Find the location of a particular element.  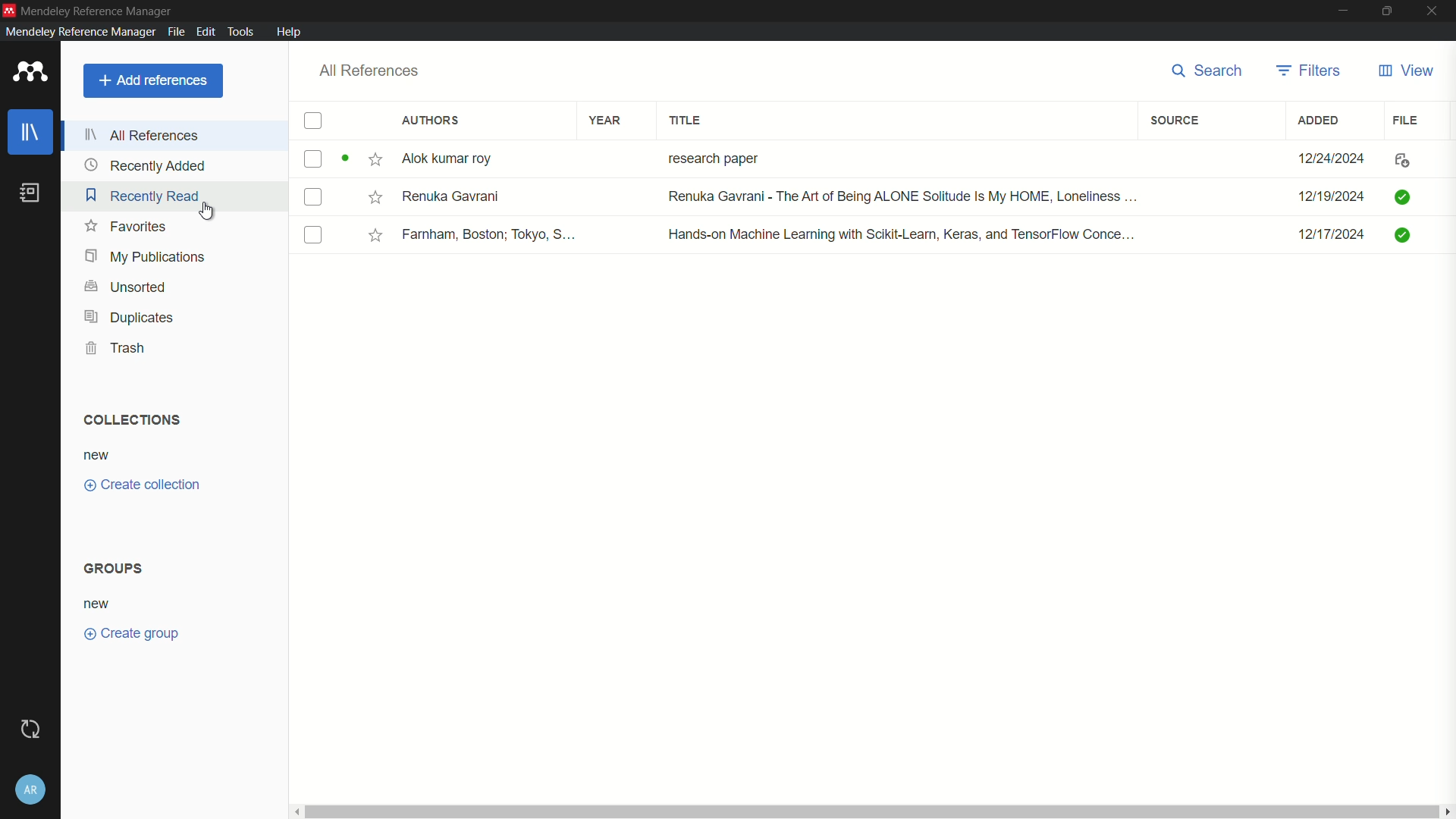

library is located at coordinates (32, 133).